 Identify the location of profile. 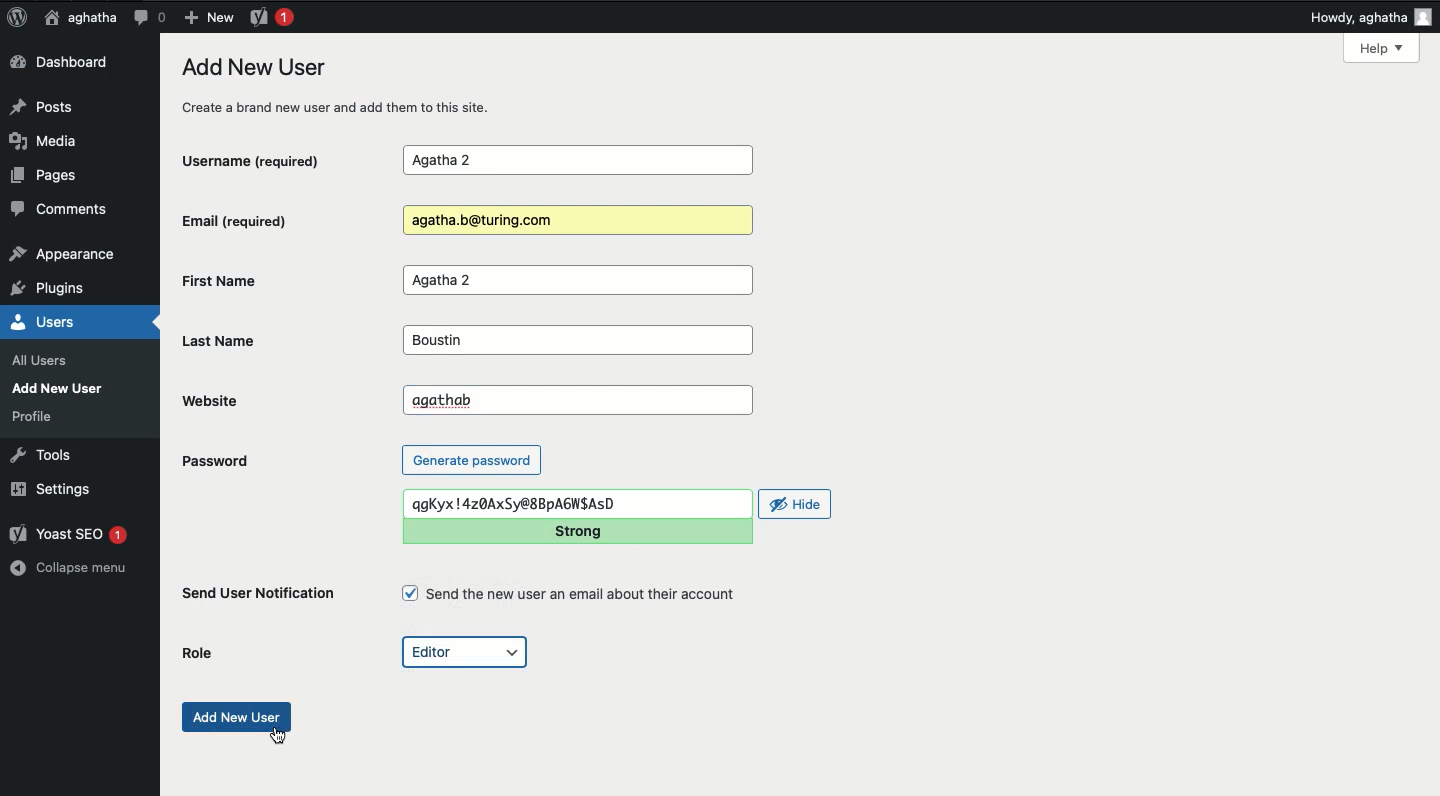
(38, 416).